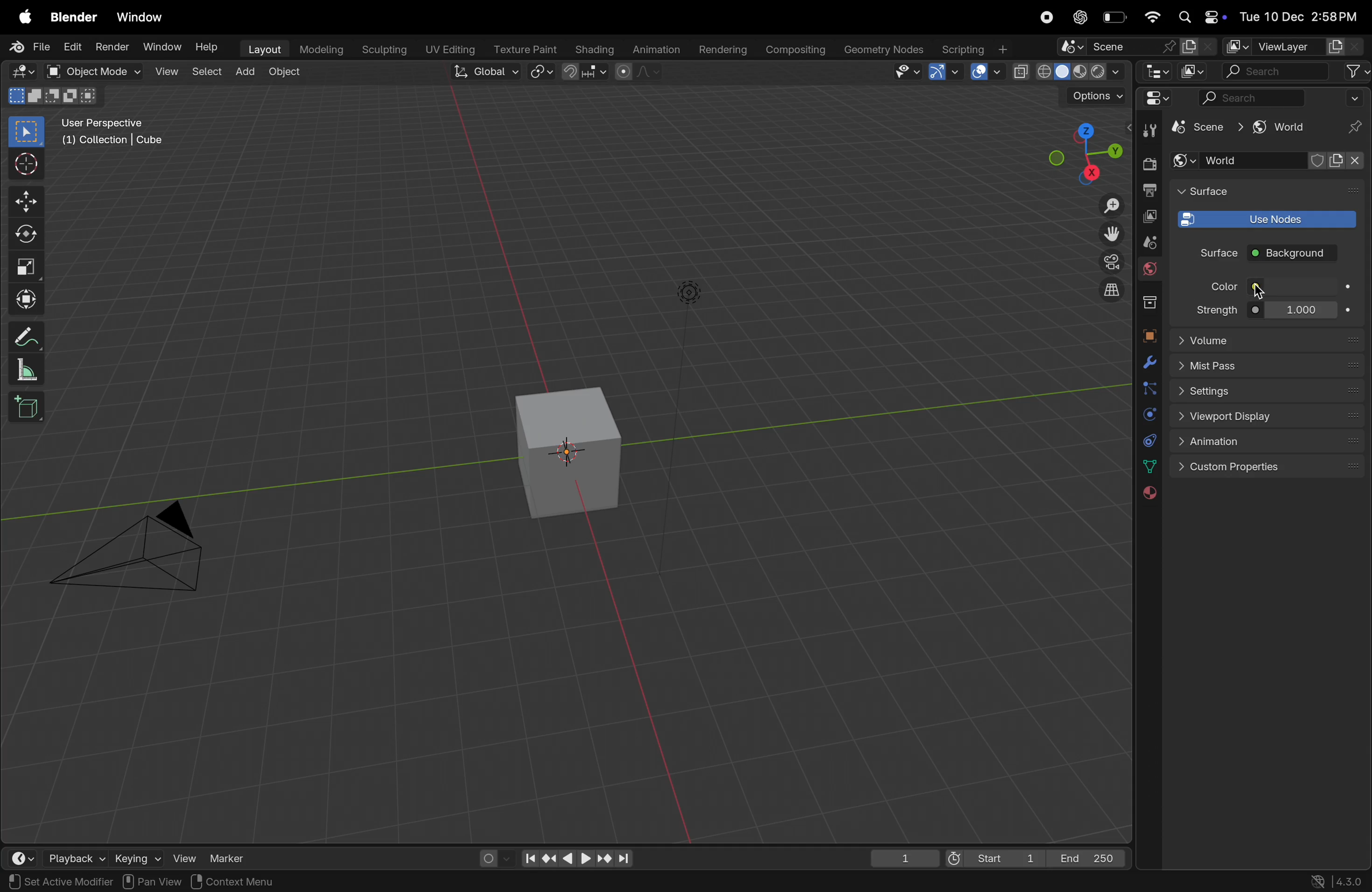  Describe the element at coordinates (136, 856) in the screenshot. I see `keying` at that location.